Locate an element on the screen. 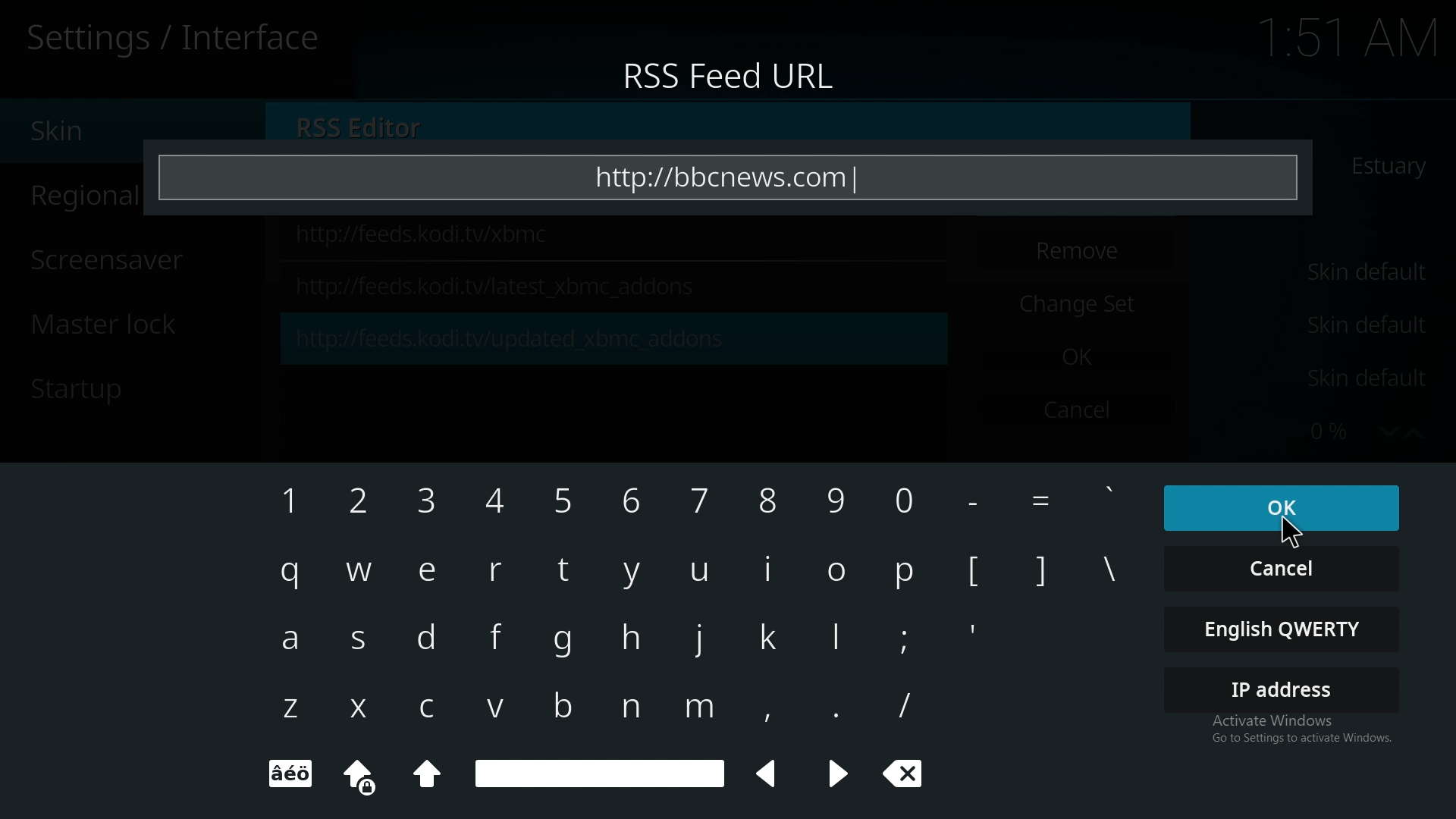  keyboard Input is located at coordinates (770, 570).